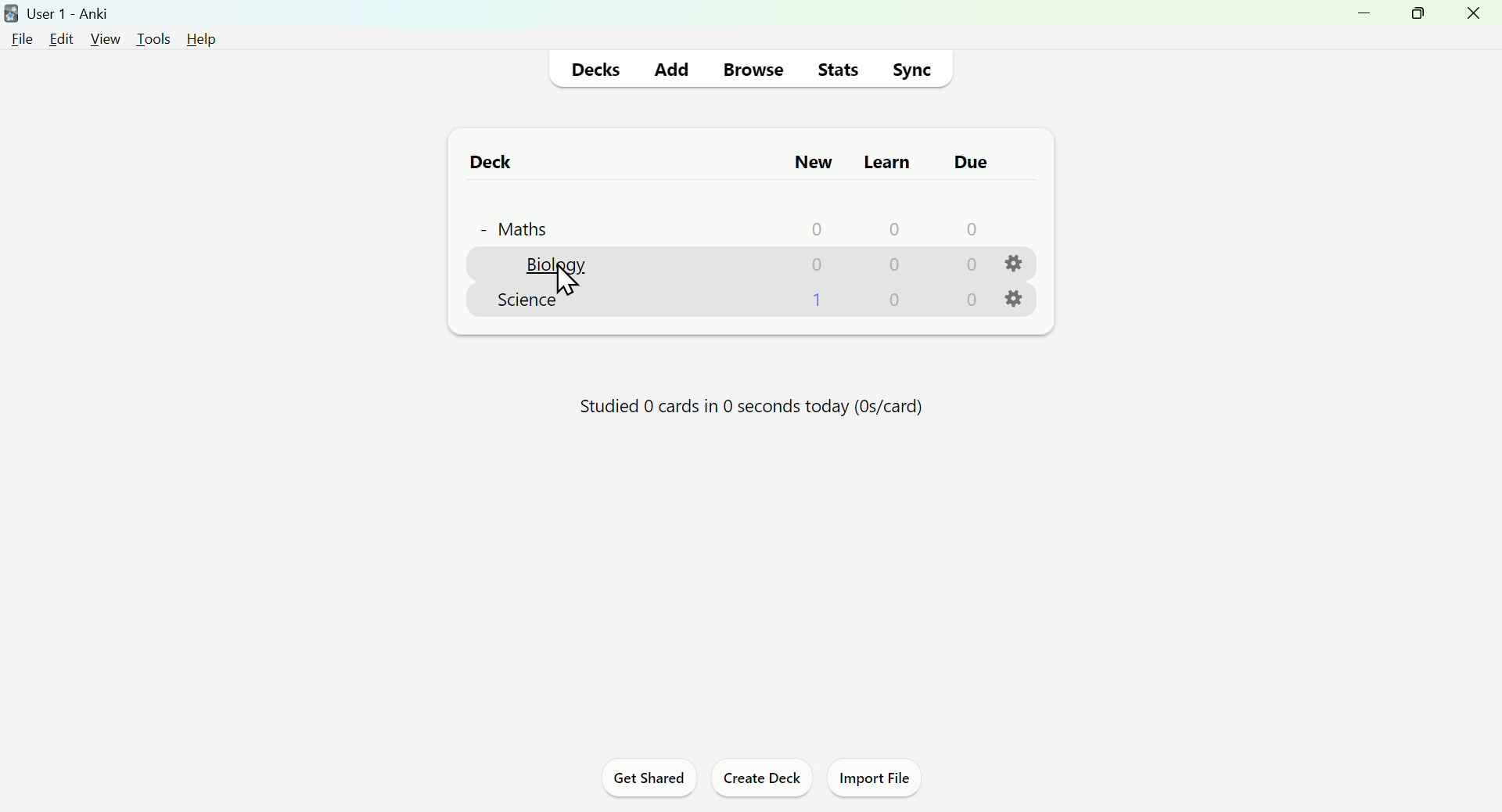 This screenshot has height=812, width=1502. I want to click on due, so click(972, 163).